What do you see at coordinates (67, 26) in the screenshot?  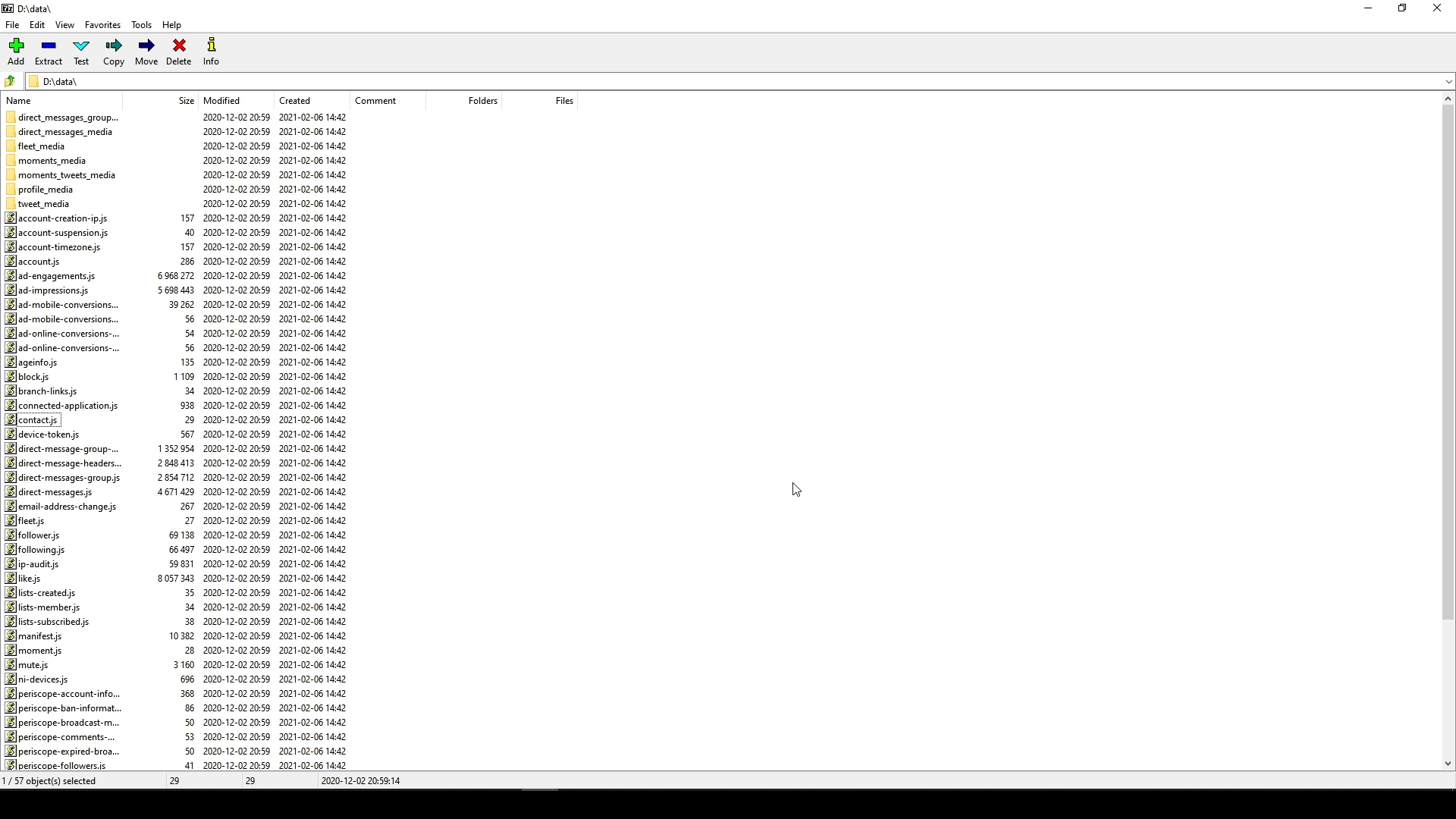 I see `View` at bounding box center [67, 26].